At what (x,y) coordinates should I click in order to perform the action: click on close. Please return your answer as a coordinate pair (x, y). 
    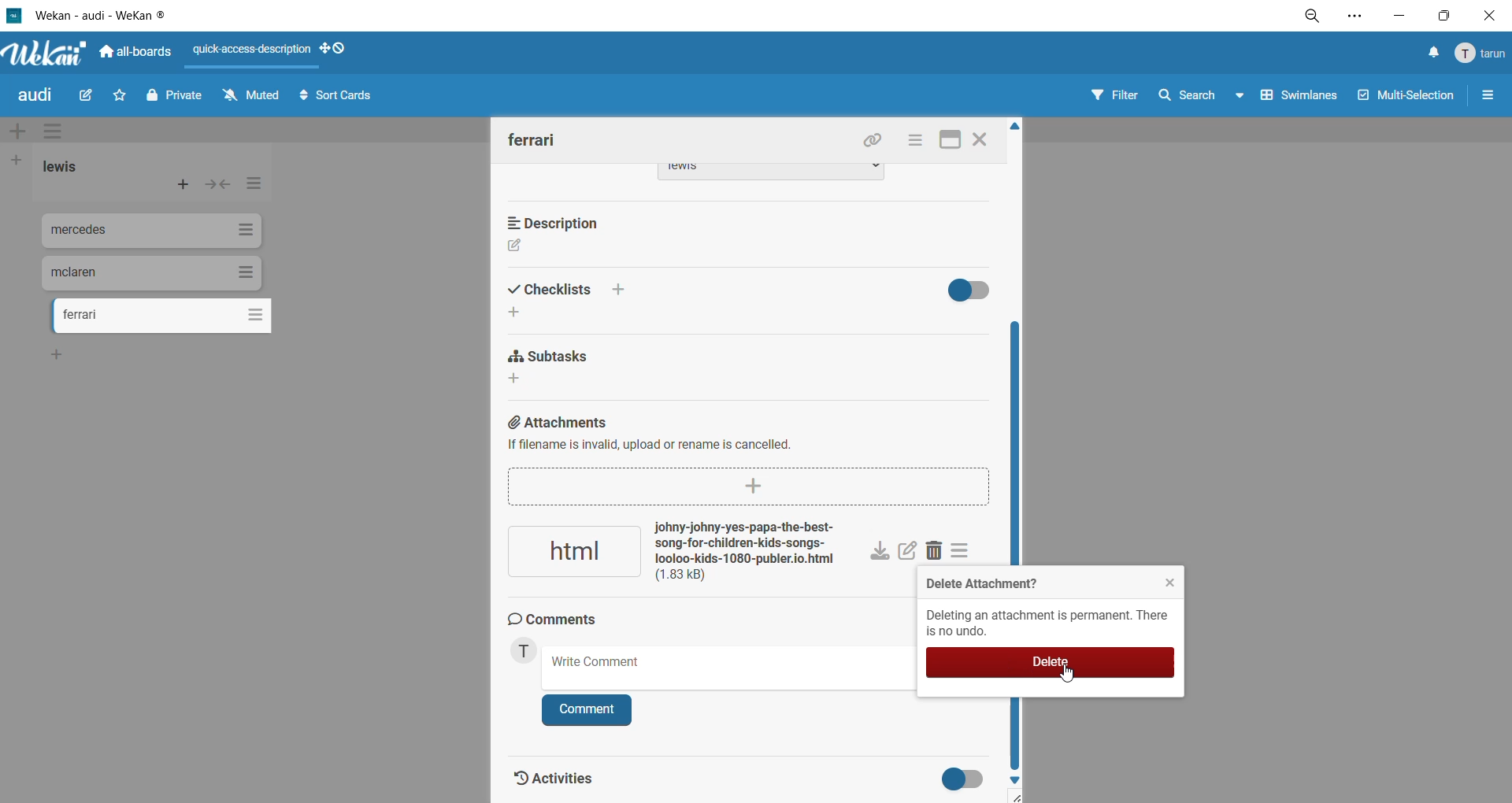
    Looking at the image, I should click on (1165, 583).